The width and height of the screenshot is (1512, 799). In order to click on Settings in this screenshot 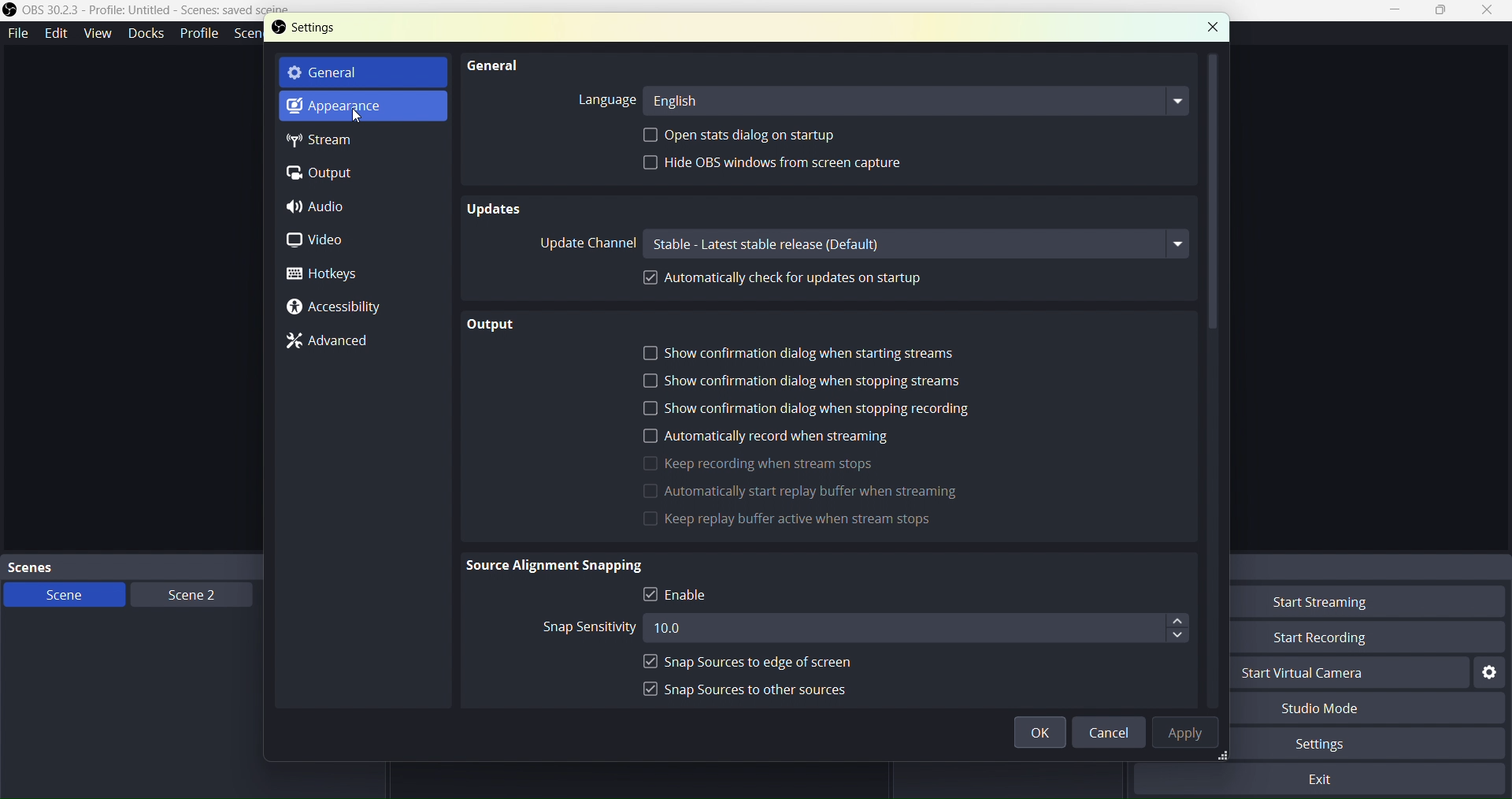, I will do `click(1491, 673)`.